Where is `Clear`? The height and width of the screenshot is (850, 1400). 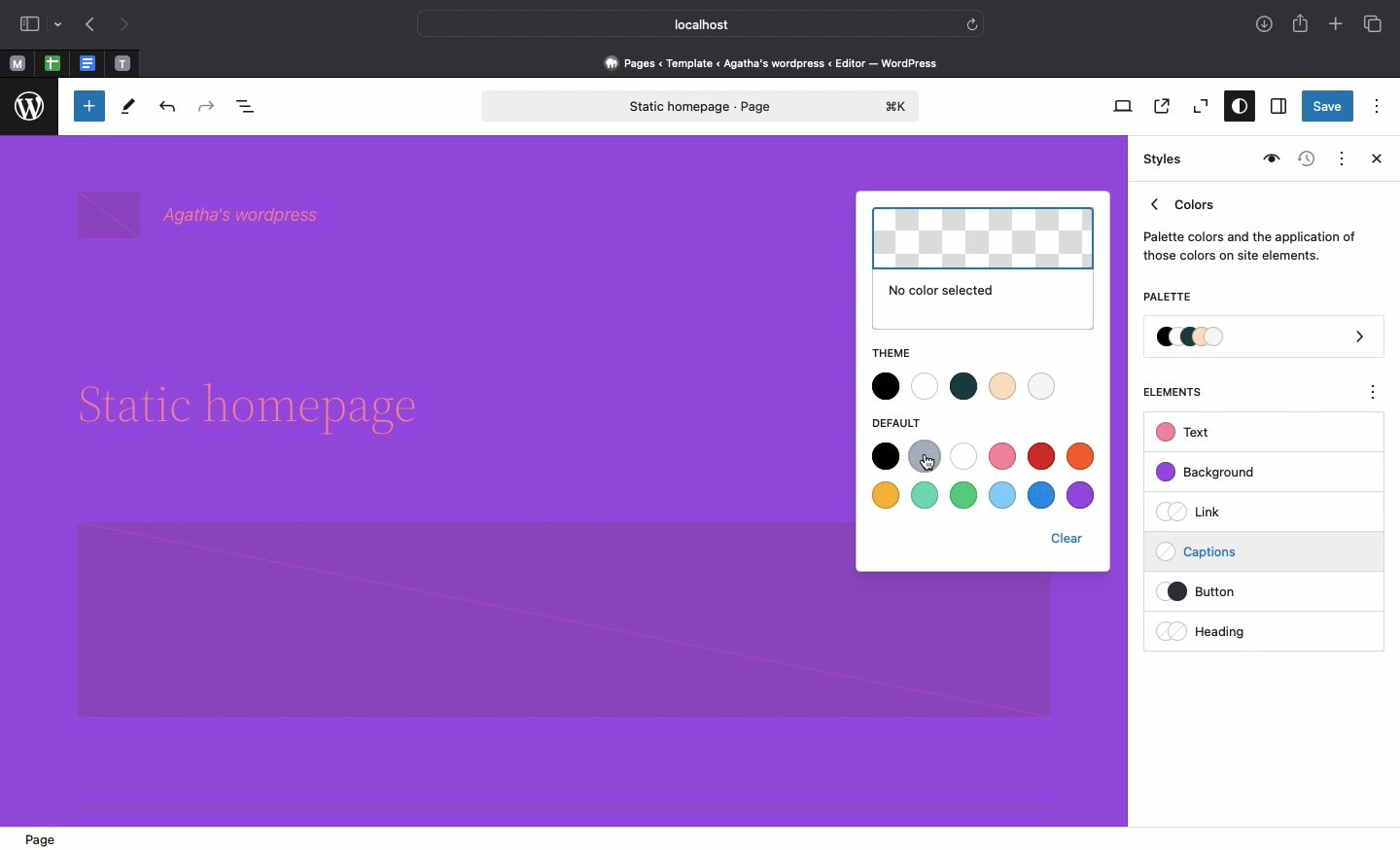 Clear is located at coordinates (1067, 538).